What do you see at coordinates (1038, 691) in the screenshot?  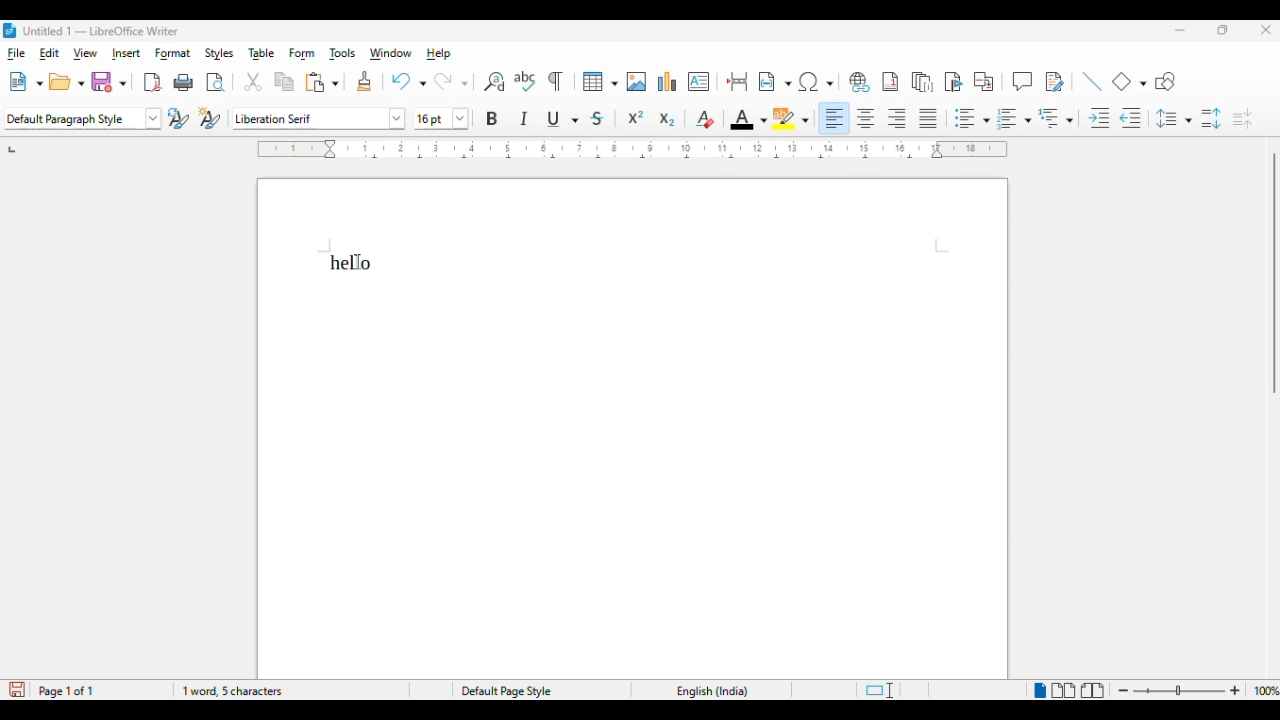 I see `single-page view` at bounding box center [1038, 691].